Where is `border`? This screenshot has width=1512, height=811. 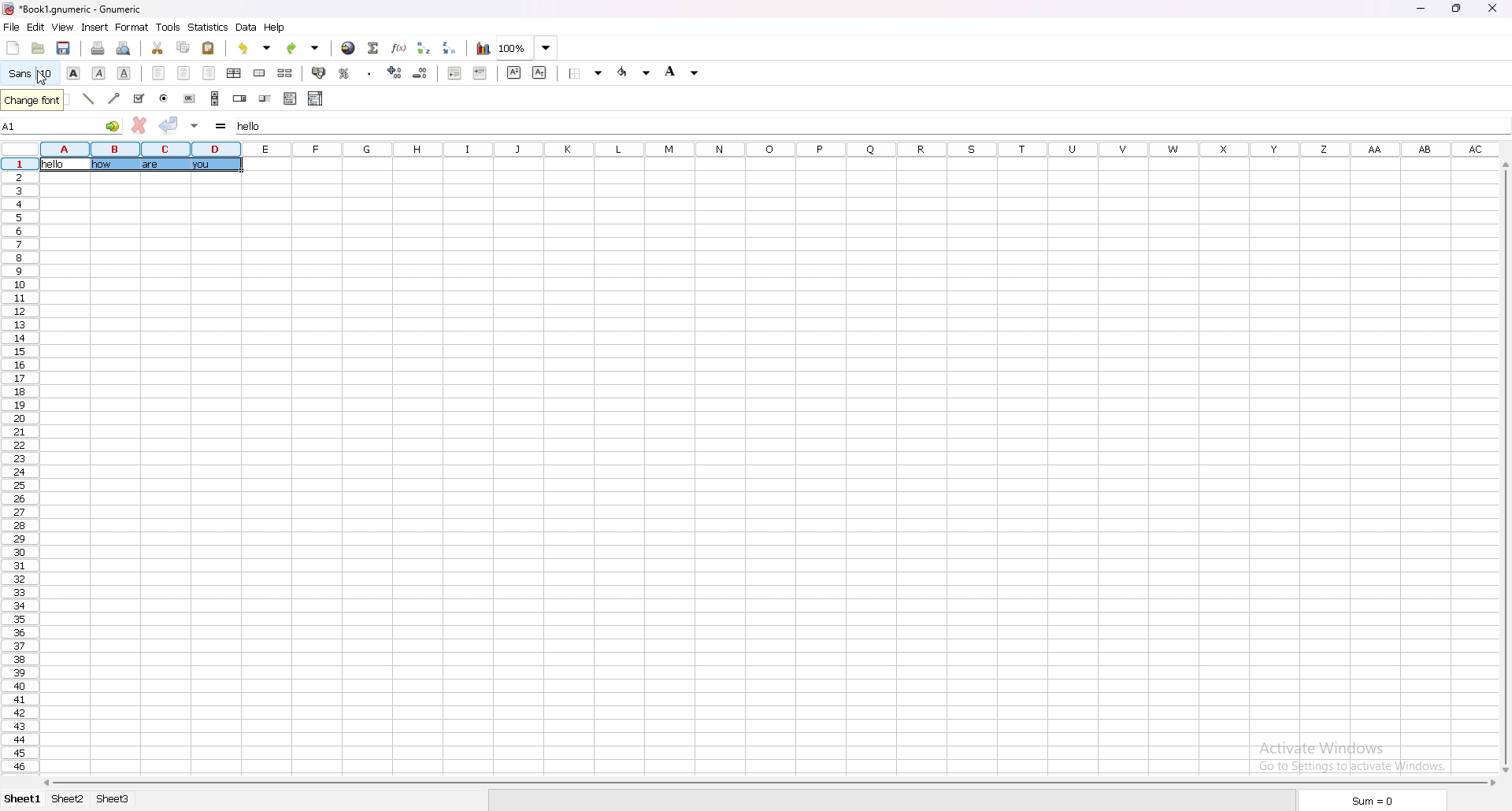
border is located at coordinates (586, 73).